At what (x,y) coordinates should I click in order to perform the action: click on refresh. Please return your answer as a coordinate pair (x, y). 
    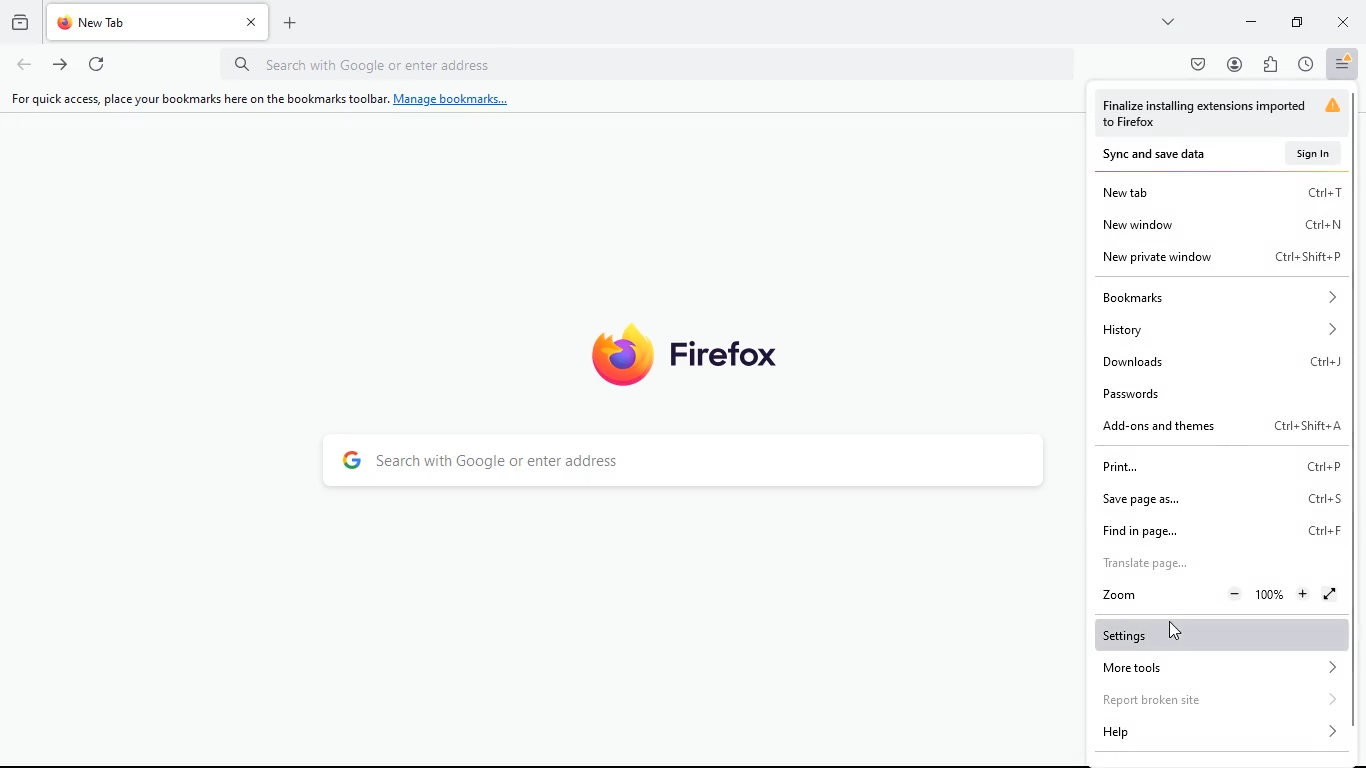
    Looking at the image, I should click on (97, 63).